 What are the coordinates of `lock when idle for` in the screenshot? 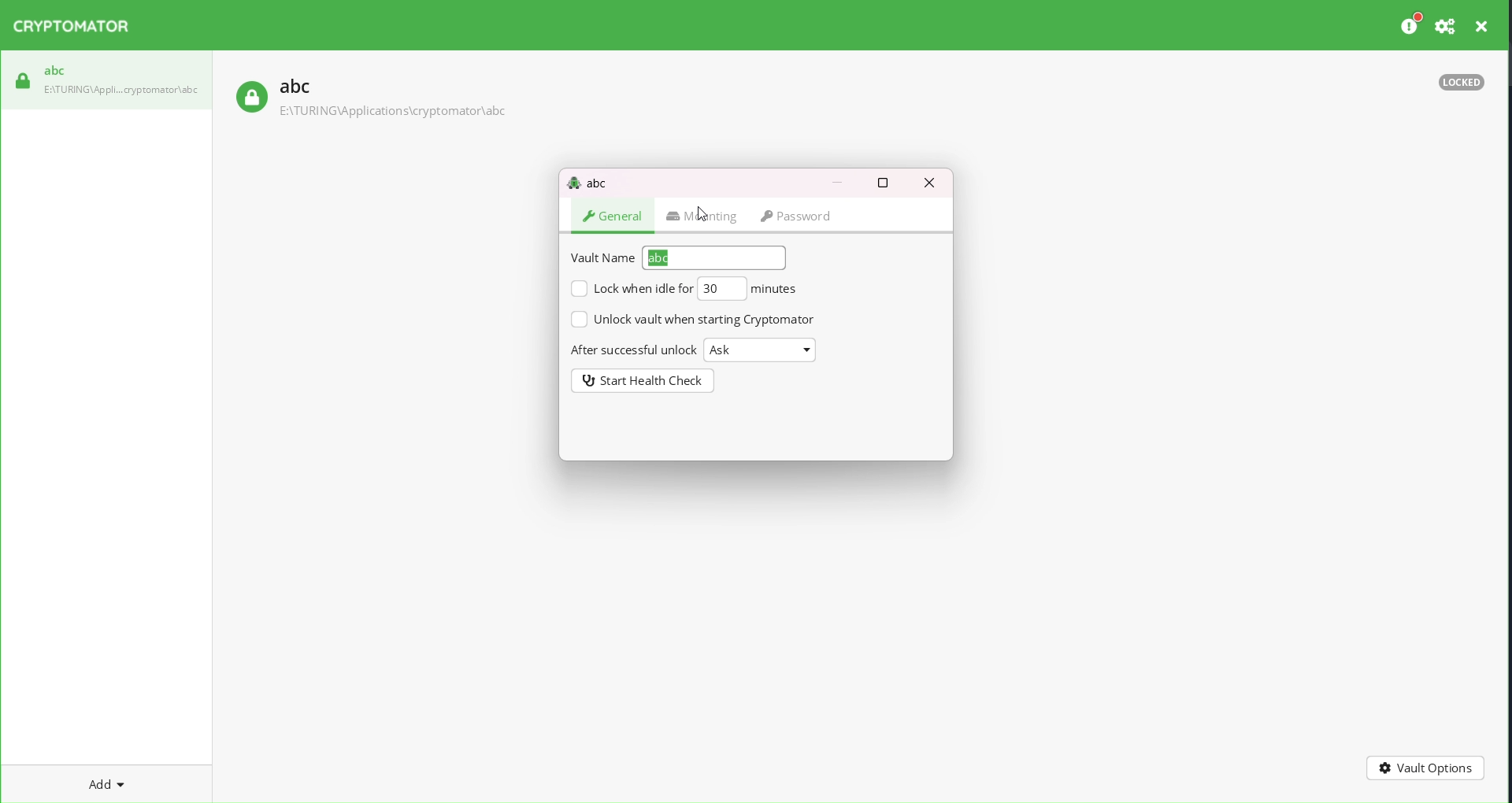 It's located at (631, 289).